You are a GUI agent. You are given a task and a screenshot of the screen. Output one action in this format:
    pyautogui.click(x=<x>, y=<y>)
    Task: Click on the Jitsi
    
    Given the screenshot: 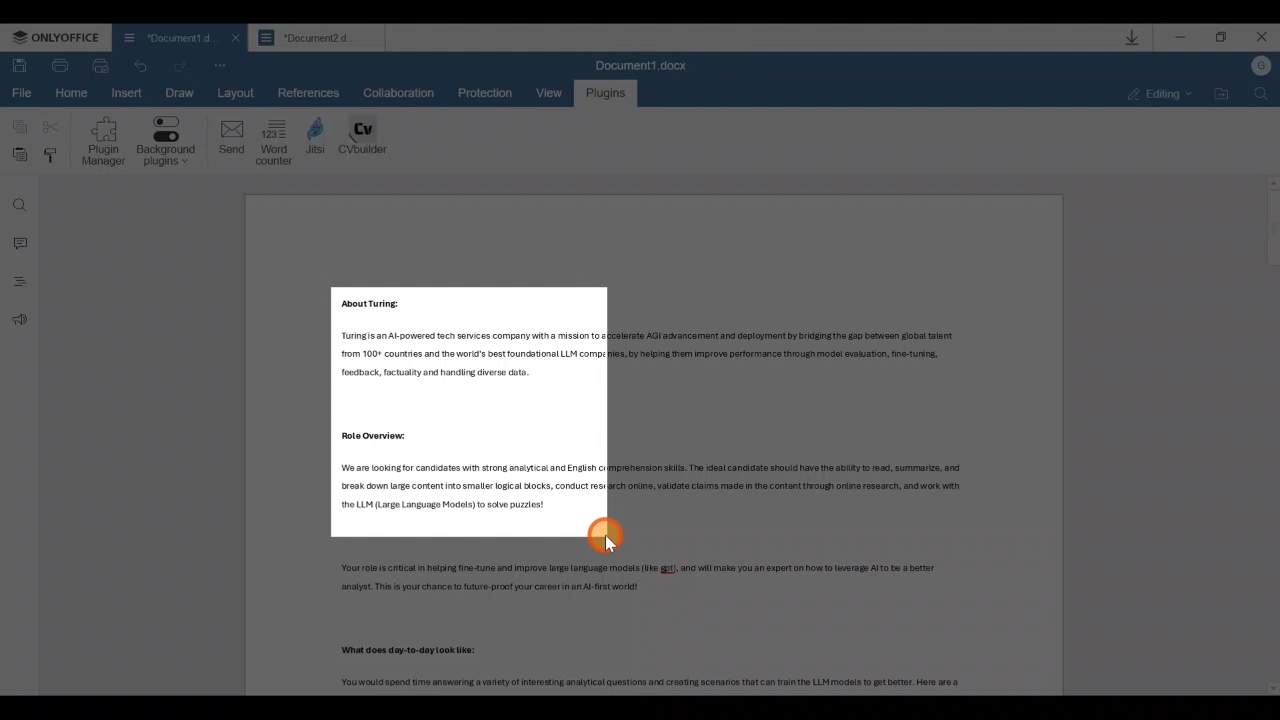 What is the action you would take?
    pyautogui.click(x=318, y=139)
    